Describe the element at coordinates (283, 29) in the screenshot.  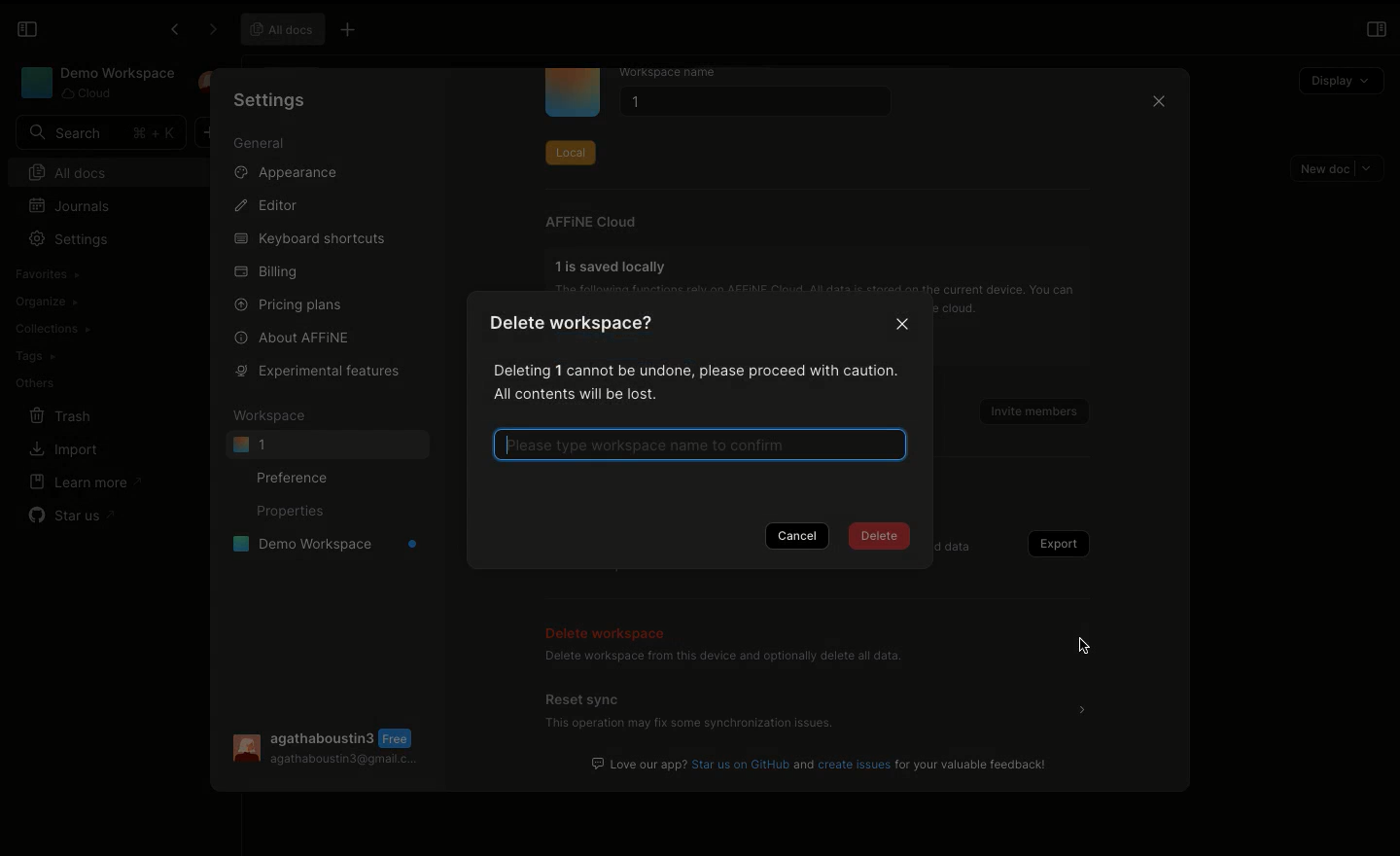
I see `All docs` at that location.